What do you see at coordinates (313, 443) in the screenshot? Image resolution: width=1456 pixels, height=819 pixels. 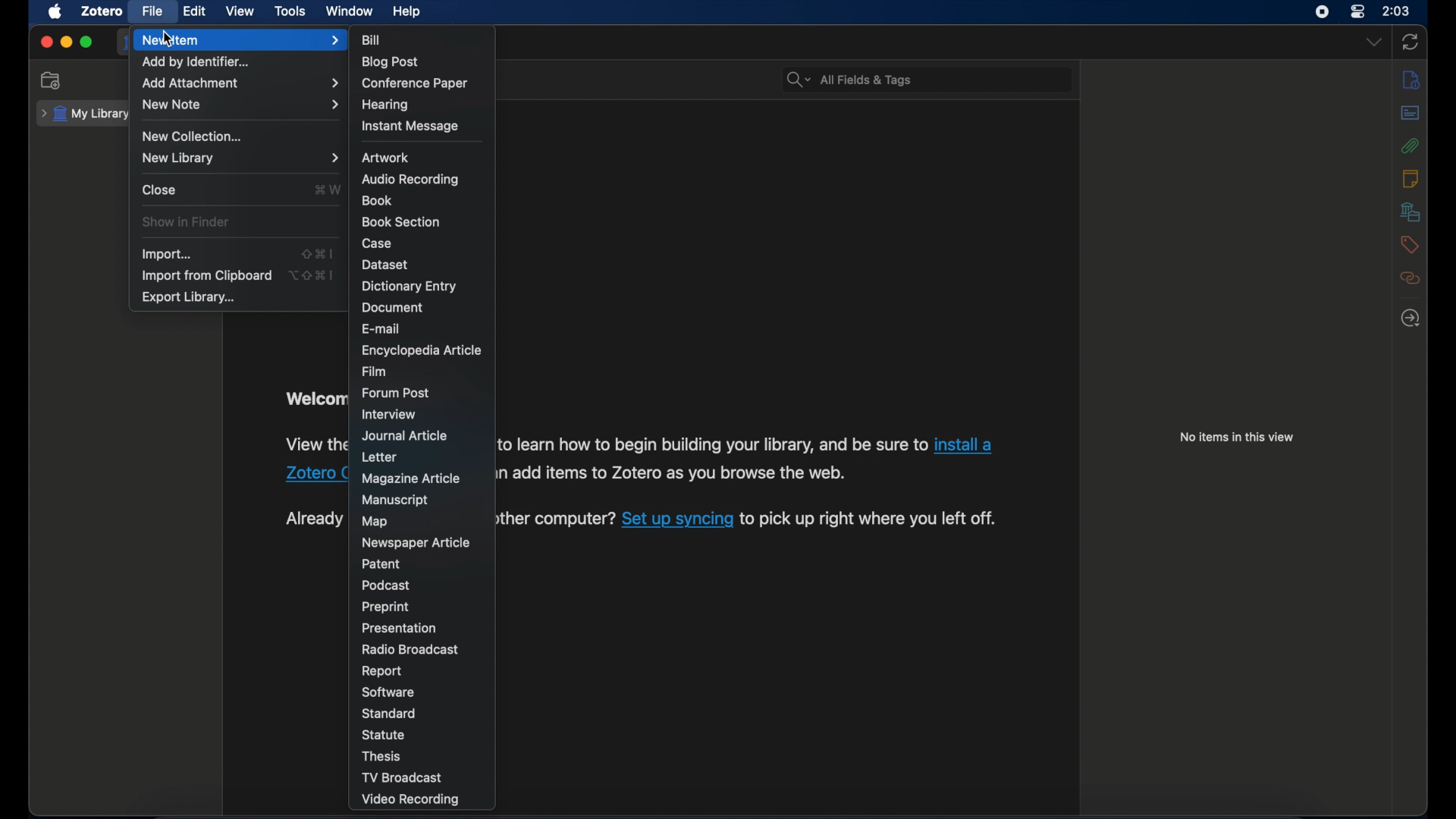 I see `obscure text` at bounding box center [313, 443].